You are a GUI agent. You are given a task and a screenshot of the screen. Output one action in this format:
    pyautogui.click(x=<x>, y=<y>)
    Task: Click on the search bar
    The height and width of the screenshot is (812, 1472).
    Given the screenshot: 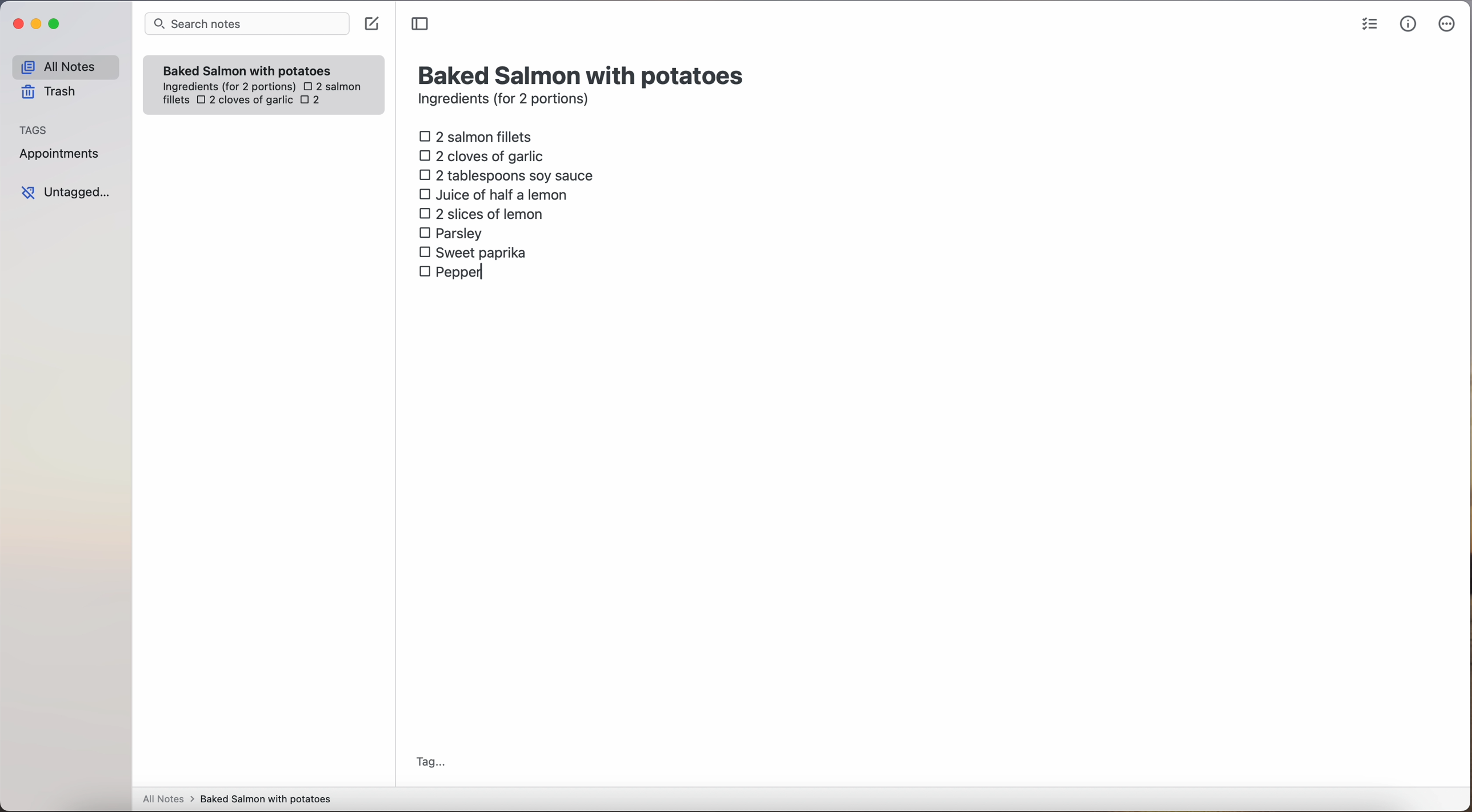 What is the action you would take?
    pyautogui.click(x=246, y=25)
    